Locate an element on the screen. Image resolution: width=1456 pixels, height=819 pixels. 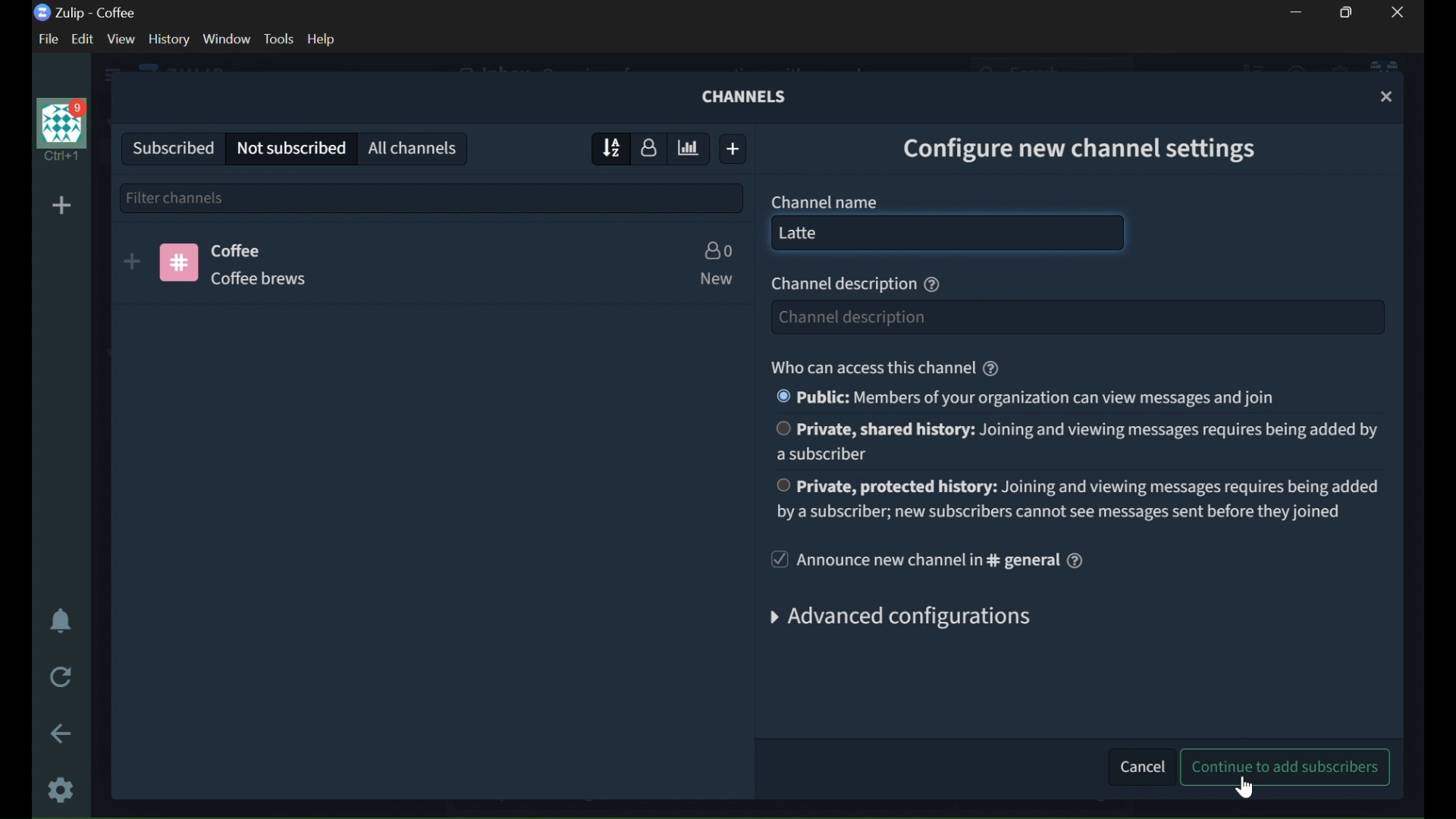
USER PROFILE is located at coordinates (59, 130).